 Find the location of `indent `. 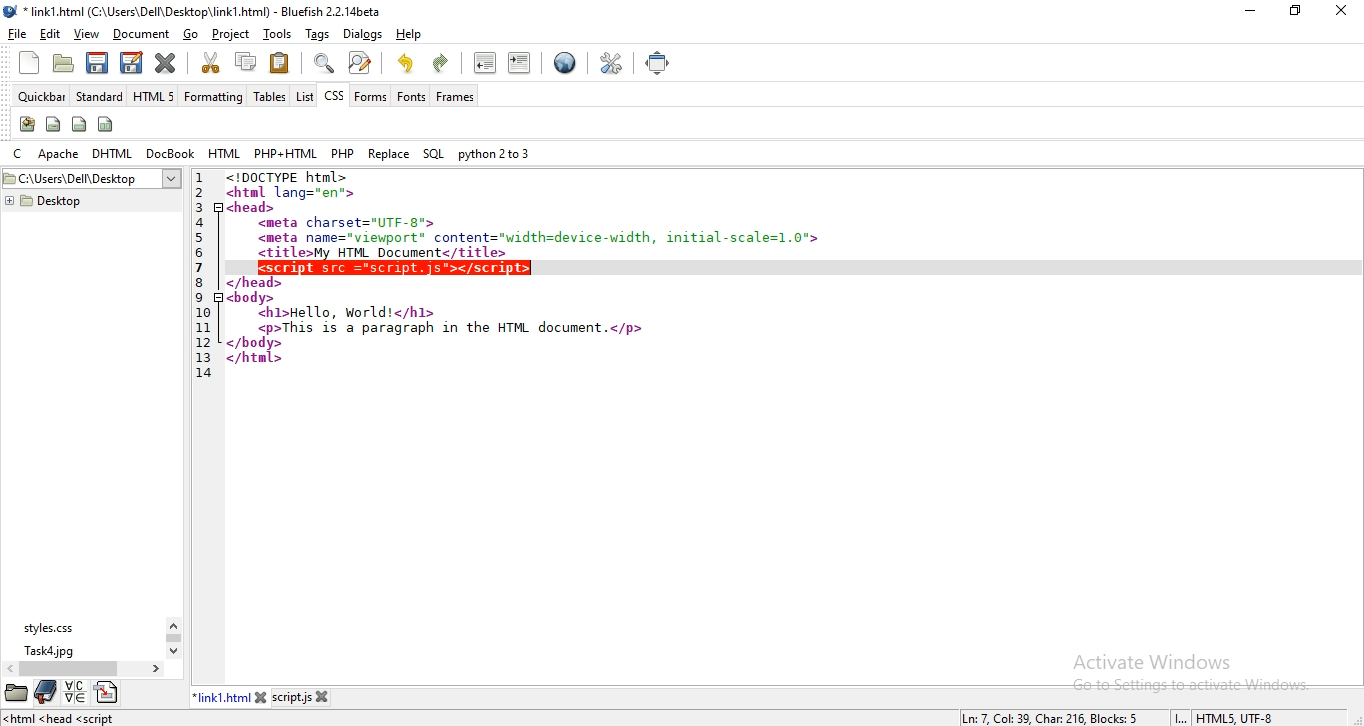

indent  is located at coordinates (519, 63).